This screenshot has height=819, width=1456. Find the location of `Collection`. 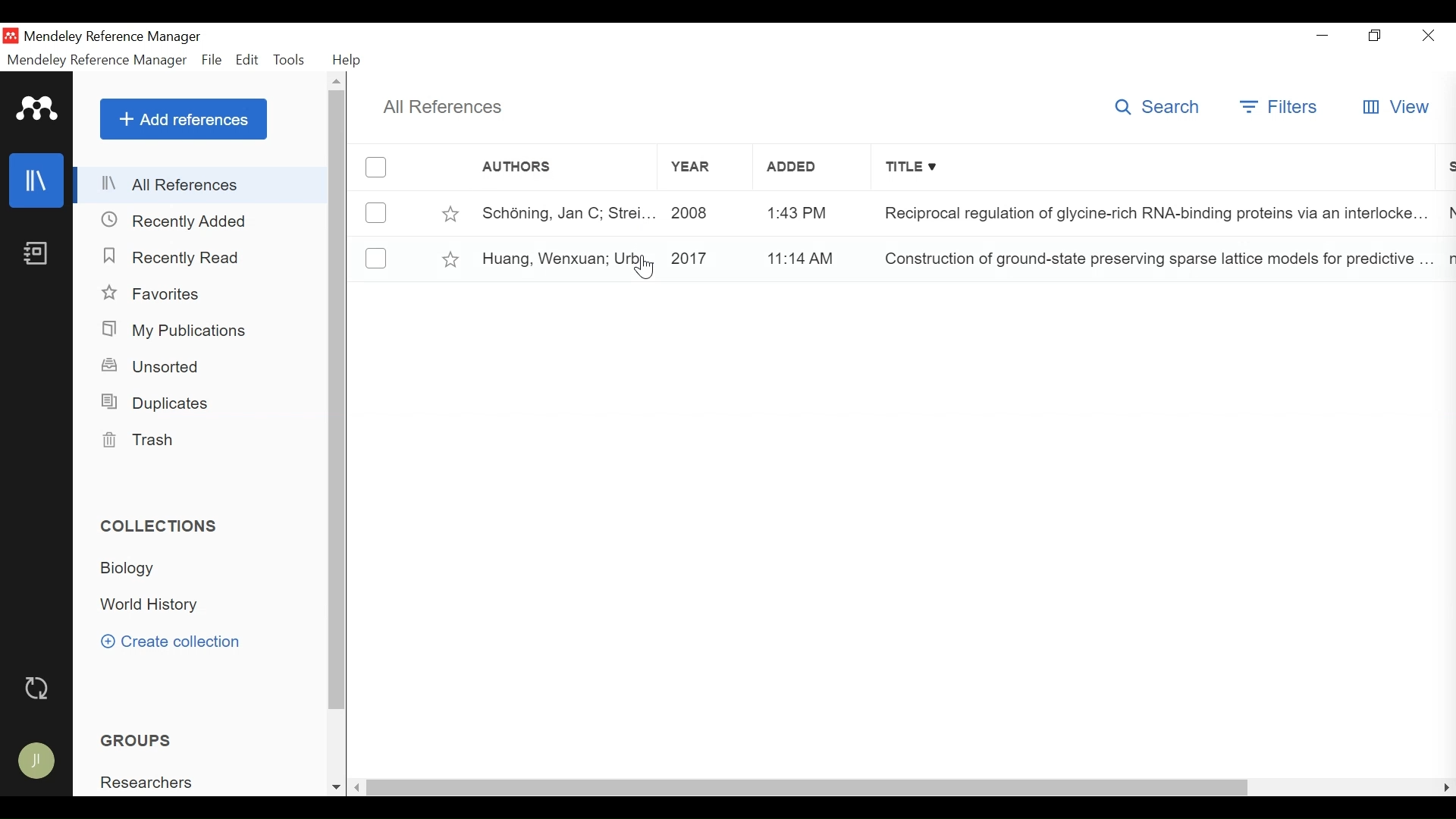

Collection is located at coordinates (152, 606).